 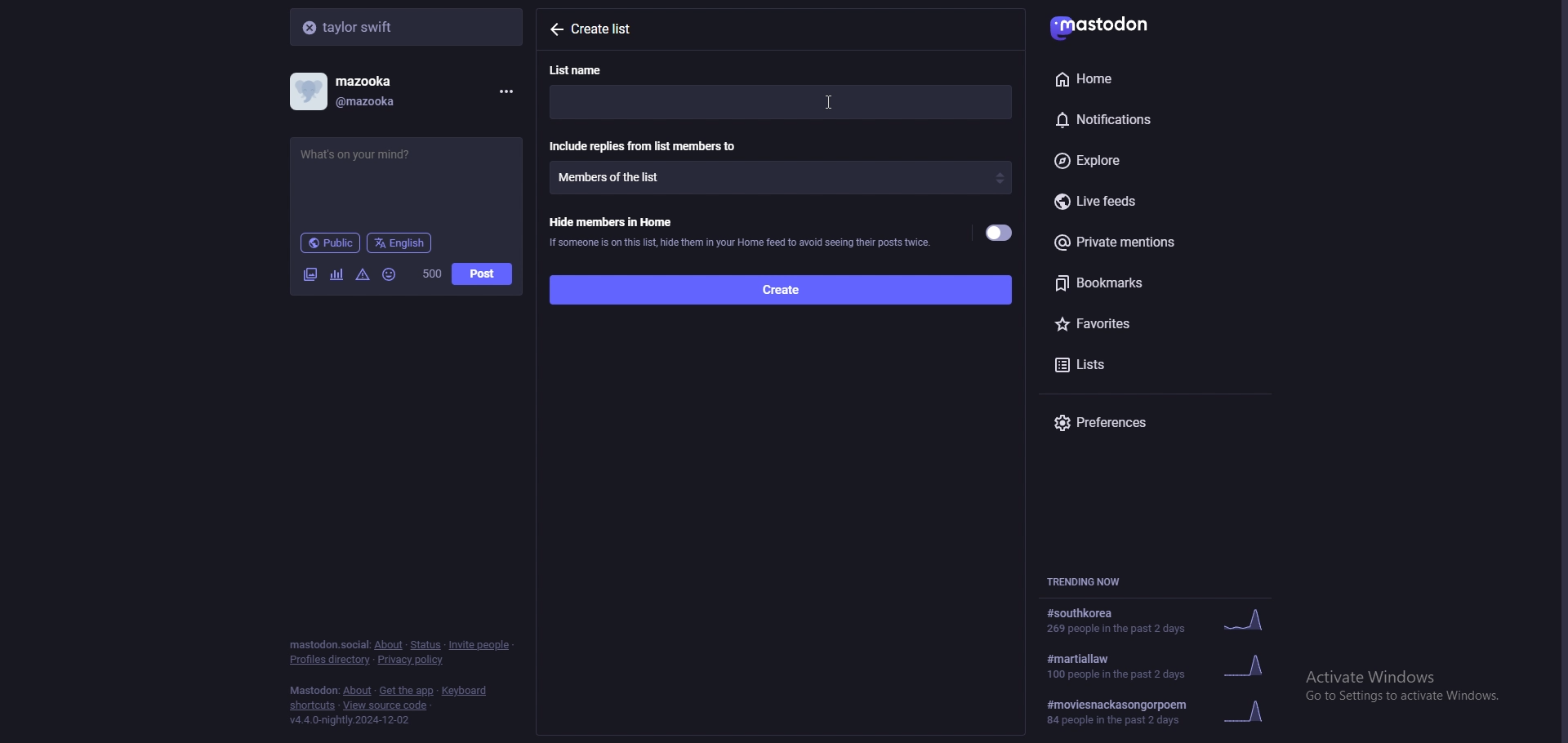 What do you see at coordinates (388, 645) in the screenshot?
I see `about` at bounding box center [388, 645].